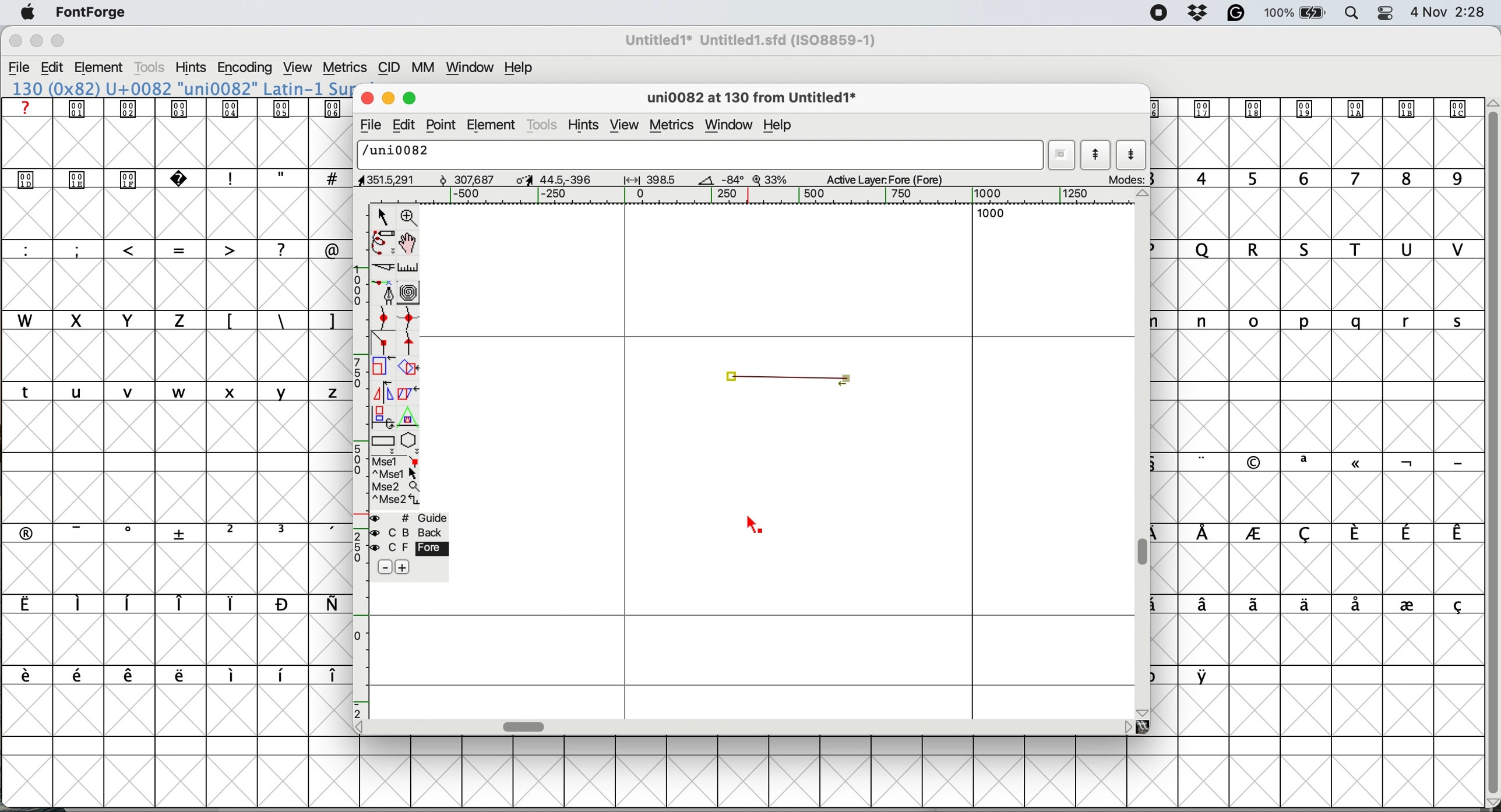  I want to click on screen recorder, so click(1160, 13).